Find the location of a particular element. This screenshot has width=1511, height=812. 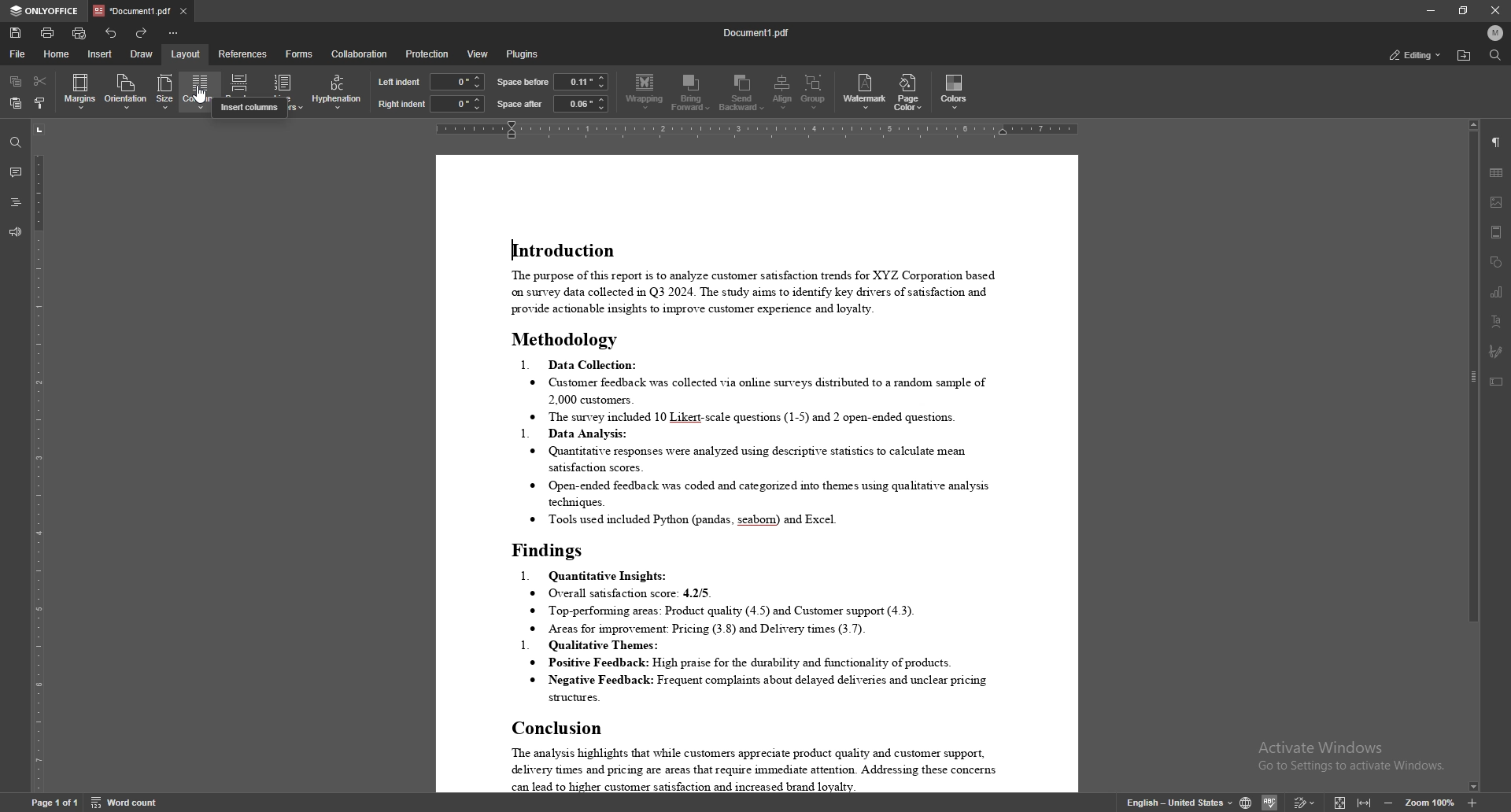

table is located at coordinates (1497, 173).